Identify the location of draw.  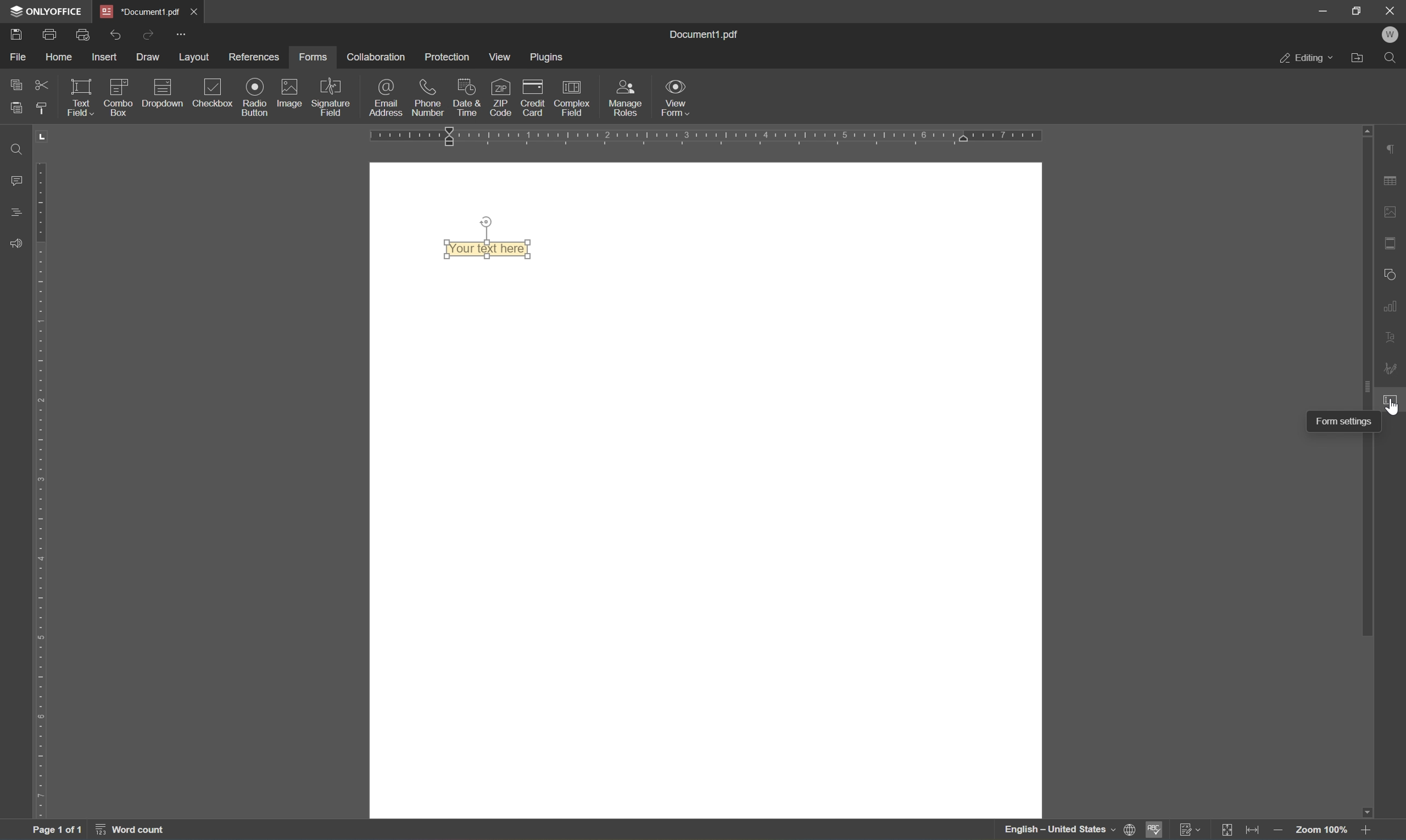
(147, 58).